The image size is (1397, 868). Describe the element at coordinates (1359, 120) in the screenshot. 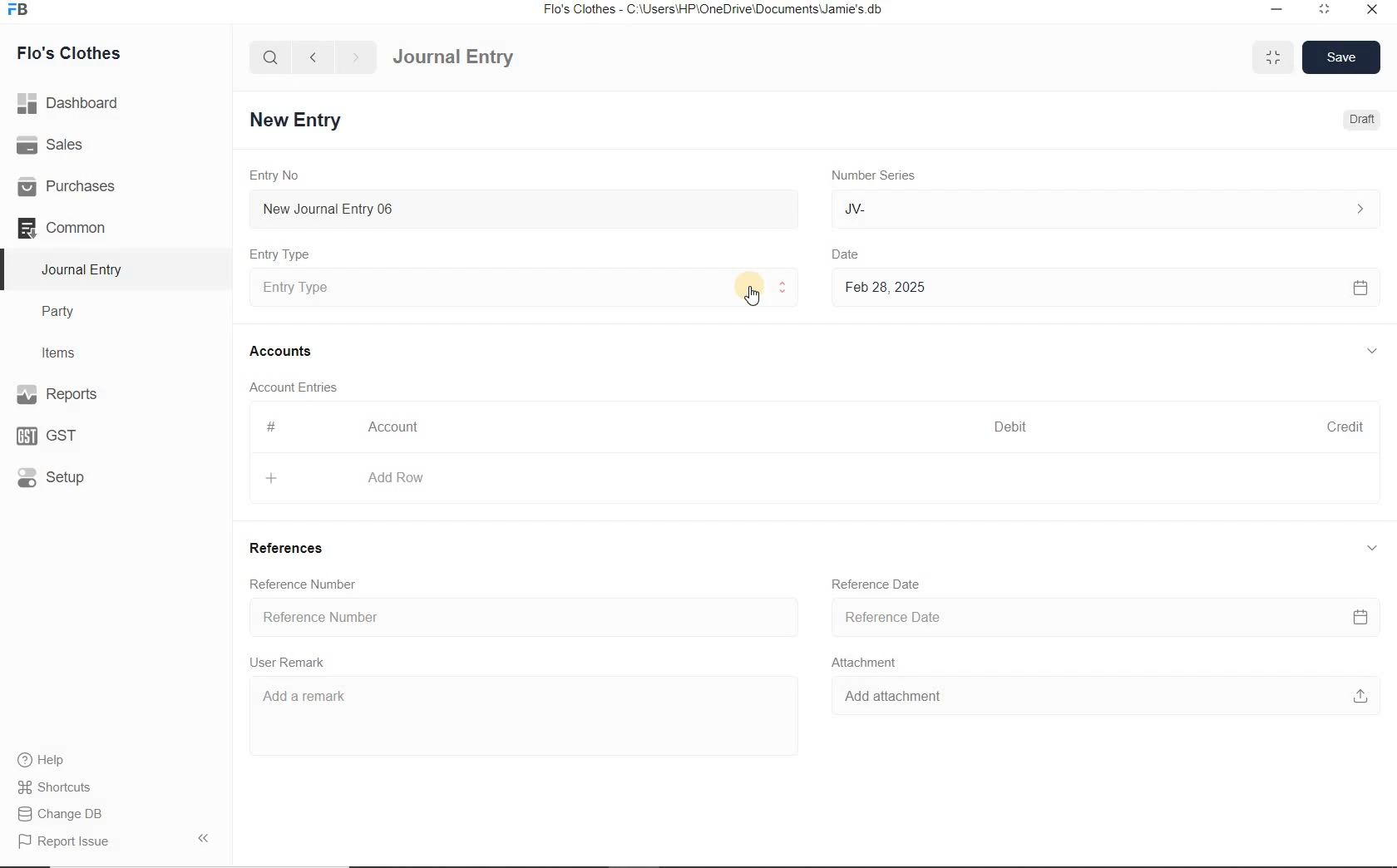

I see `Draft` at that location.